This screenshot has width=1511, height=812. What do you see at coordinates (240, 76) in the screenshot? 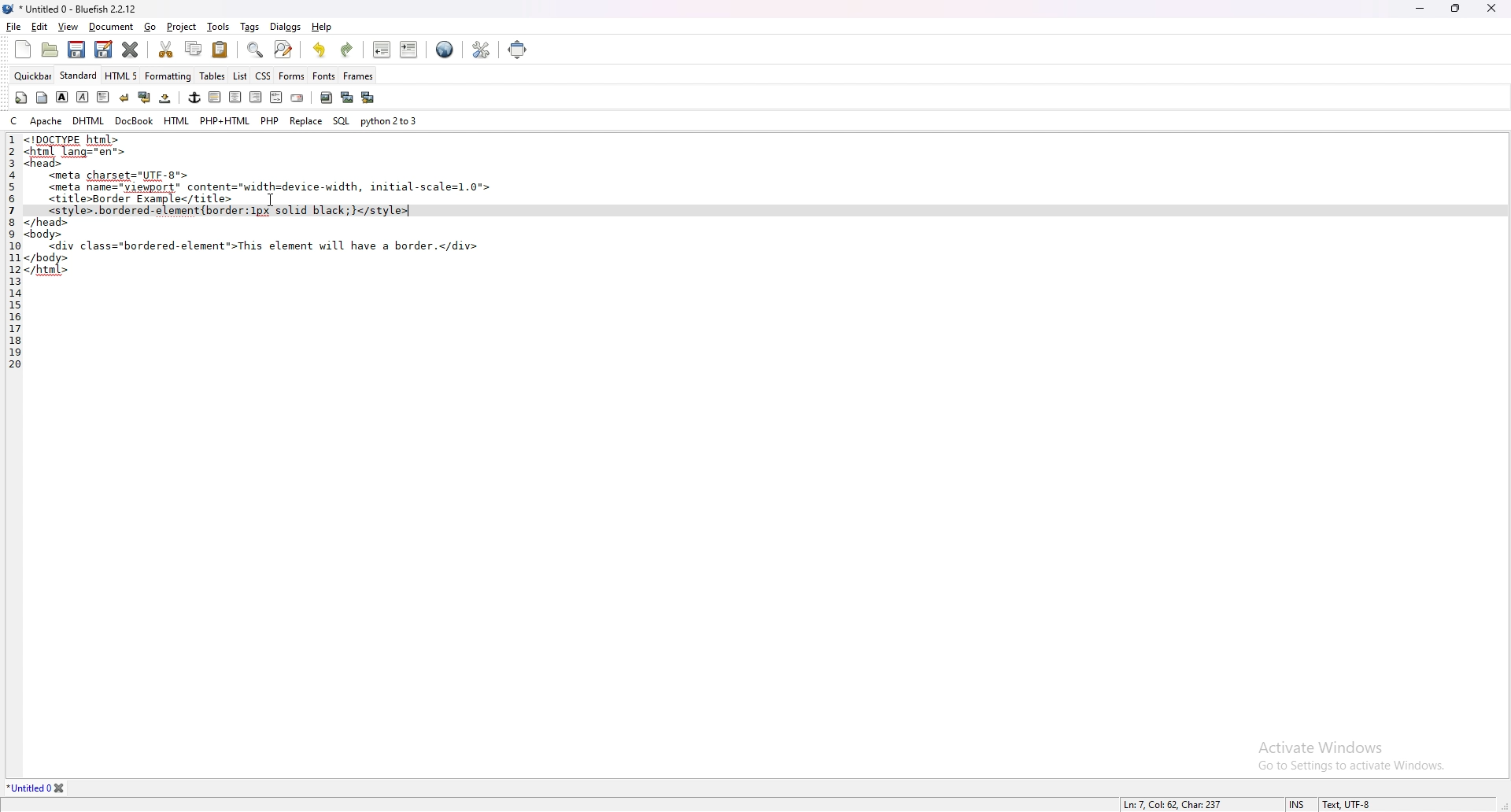
I see `list` at bounding box center [240, 76].